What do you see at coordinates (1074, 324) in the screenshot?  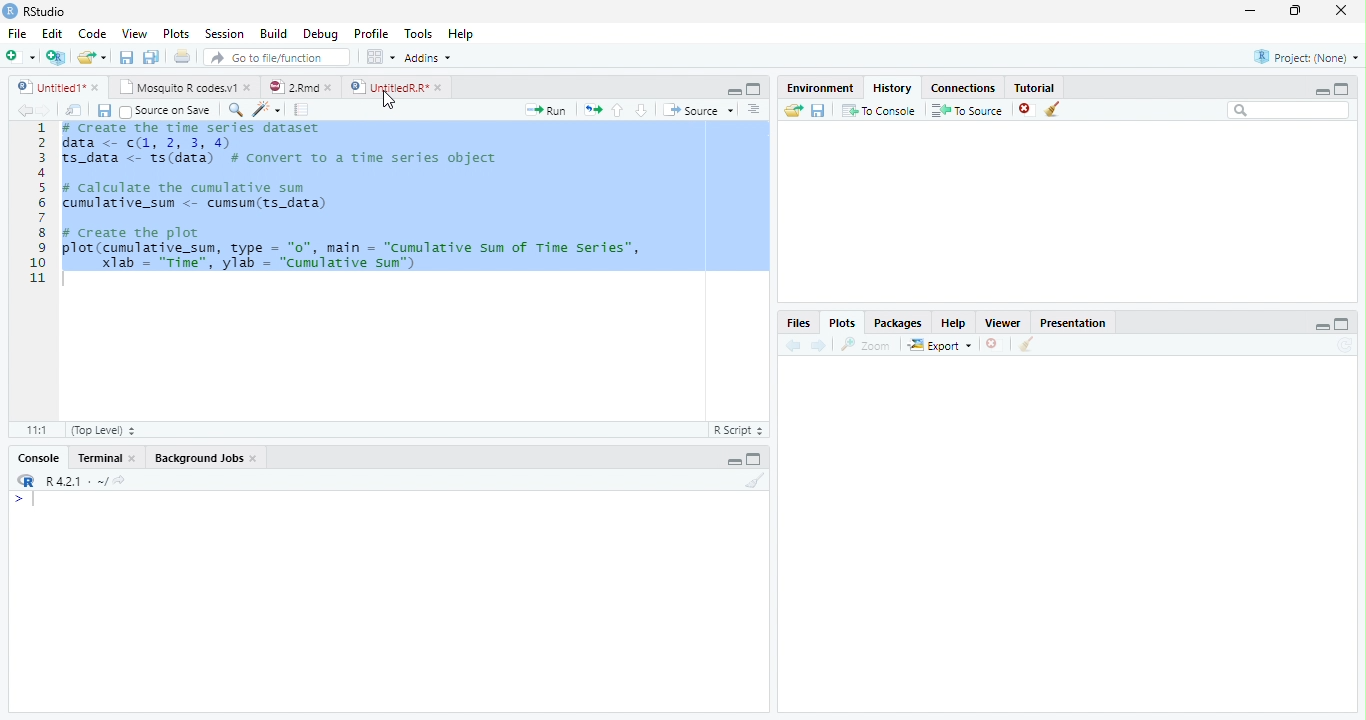 I see `Presentation` at bounding box center [1074, 324].